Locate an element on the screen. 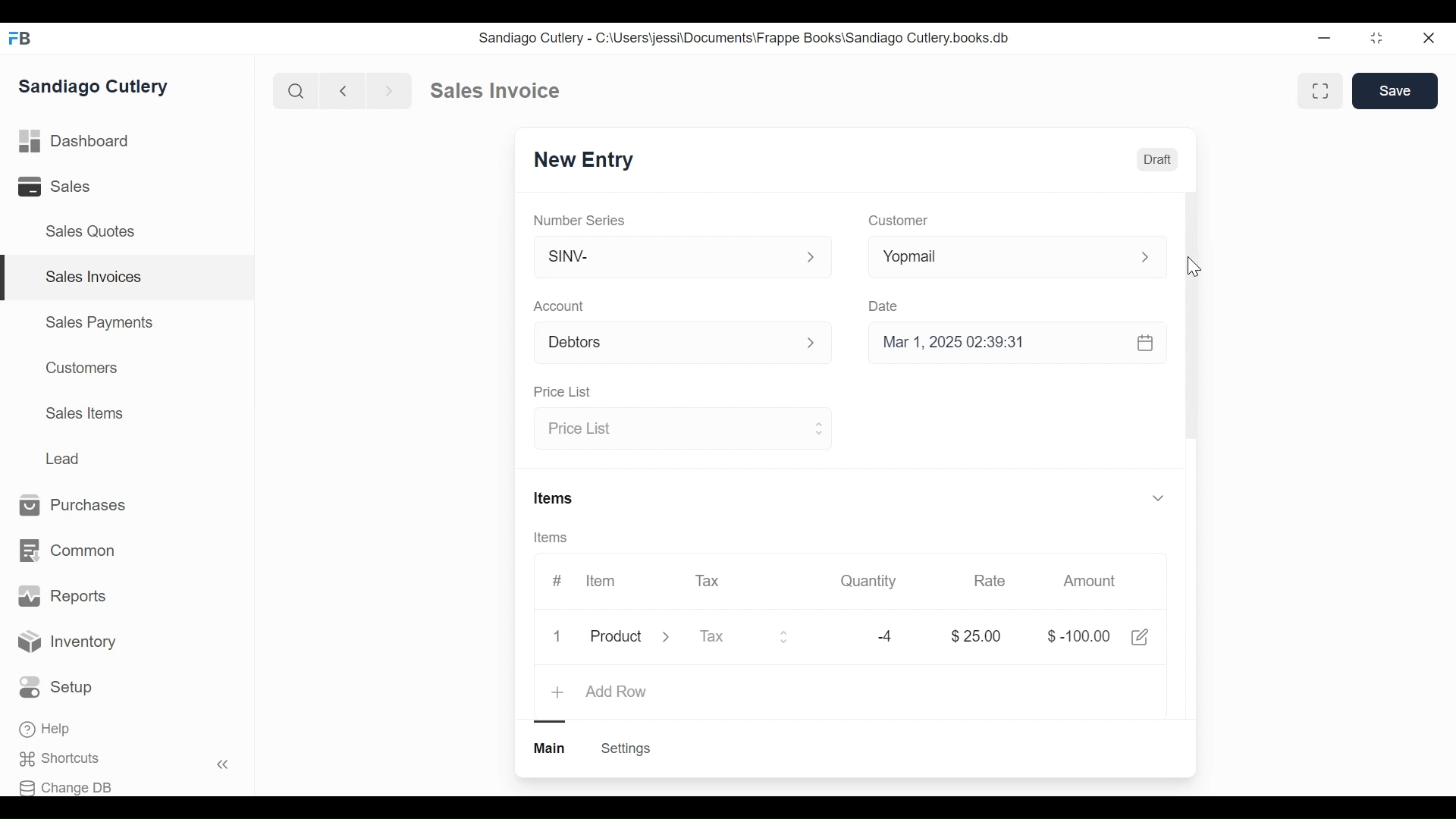 This screenshot has height=819, width=1456. $-100.00 is located at coordinates (1079, 636).